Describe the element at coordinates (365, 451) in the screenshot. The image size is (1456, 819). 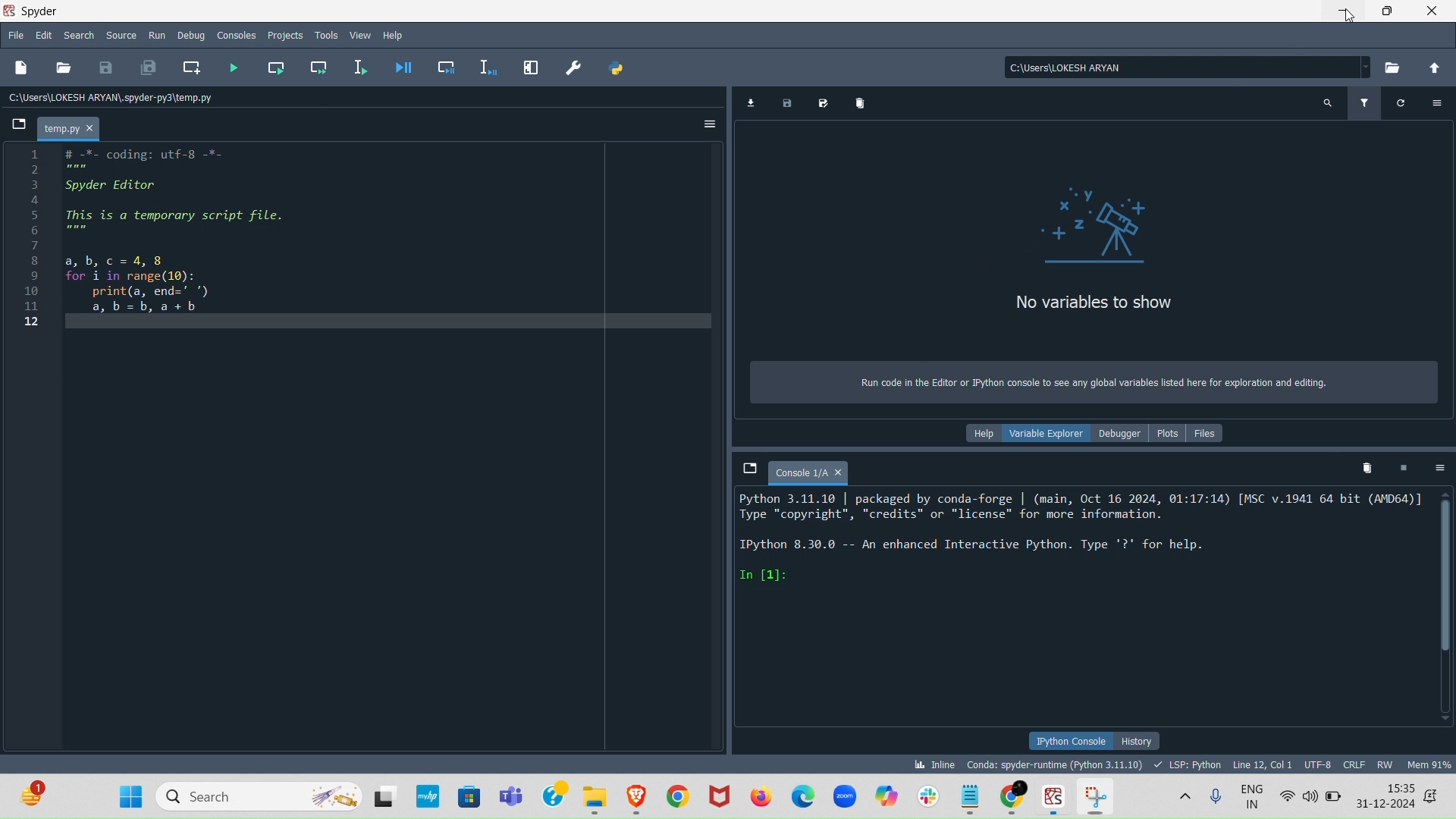
I see `Code editor` at that location.